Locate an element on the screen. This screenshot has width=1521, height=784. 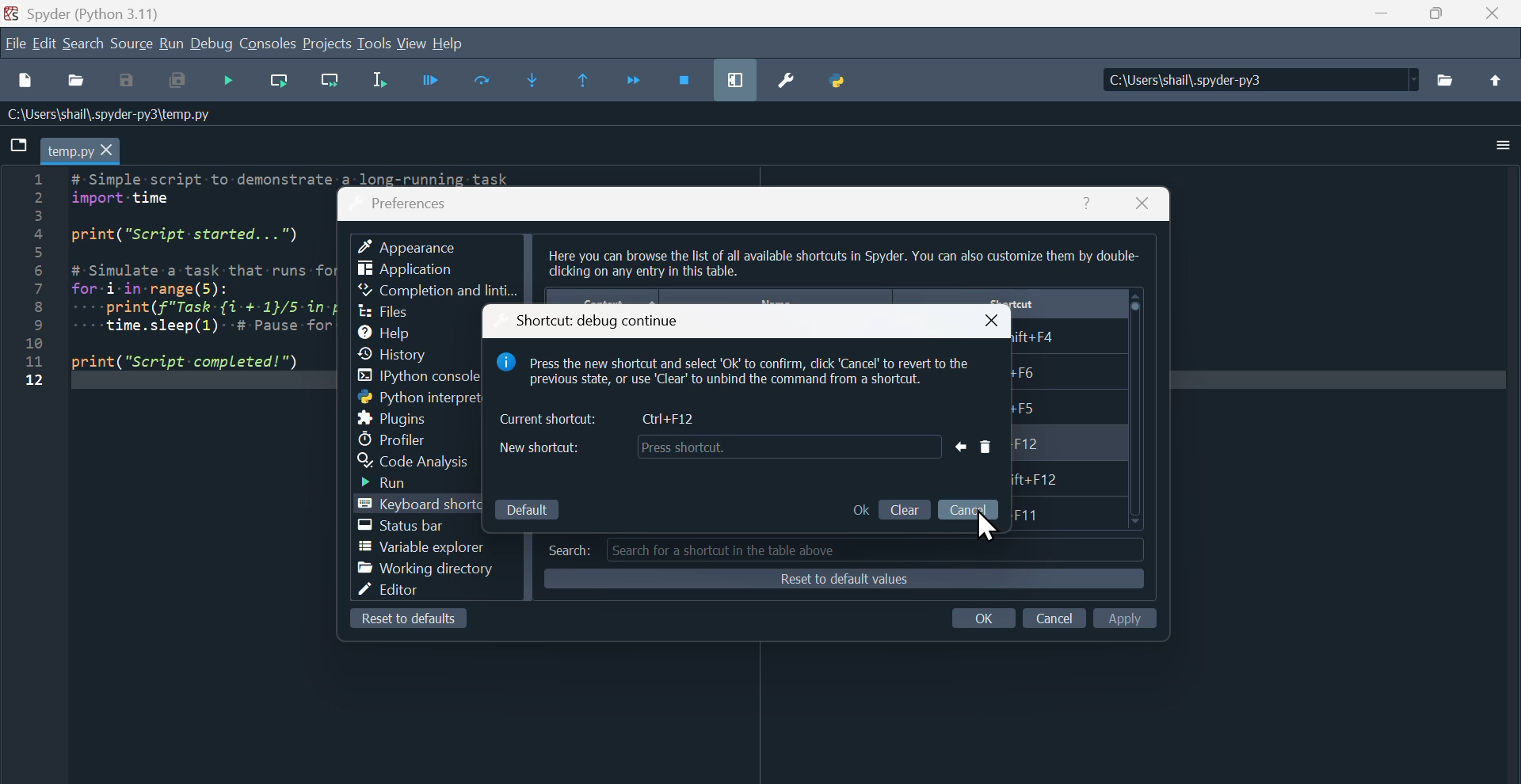
cancel is located at coordinates (976, 507).